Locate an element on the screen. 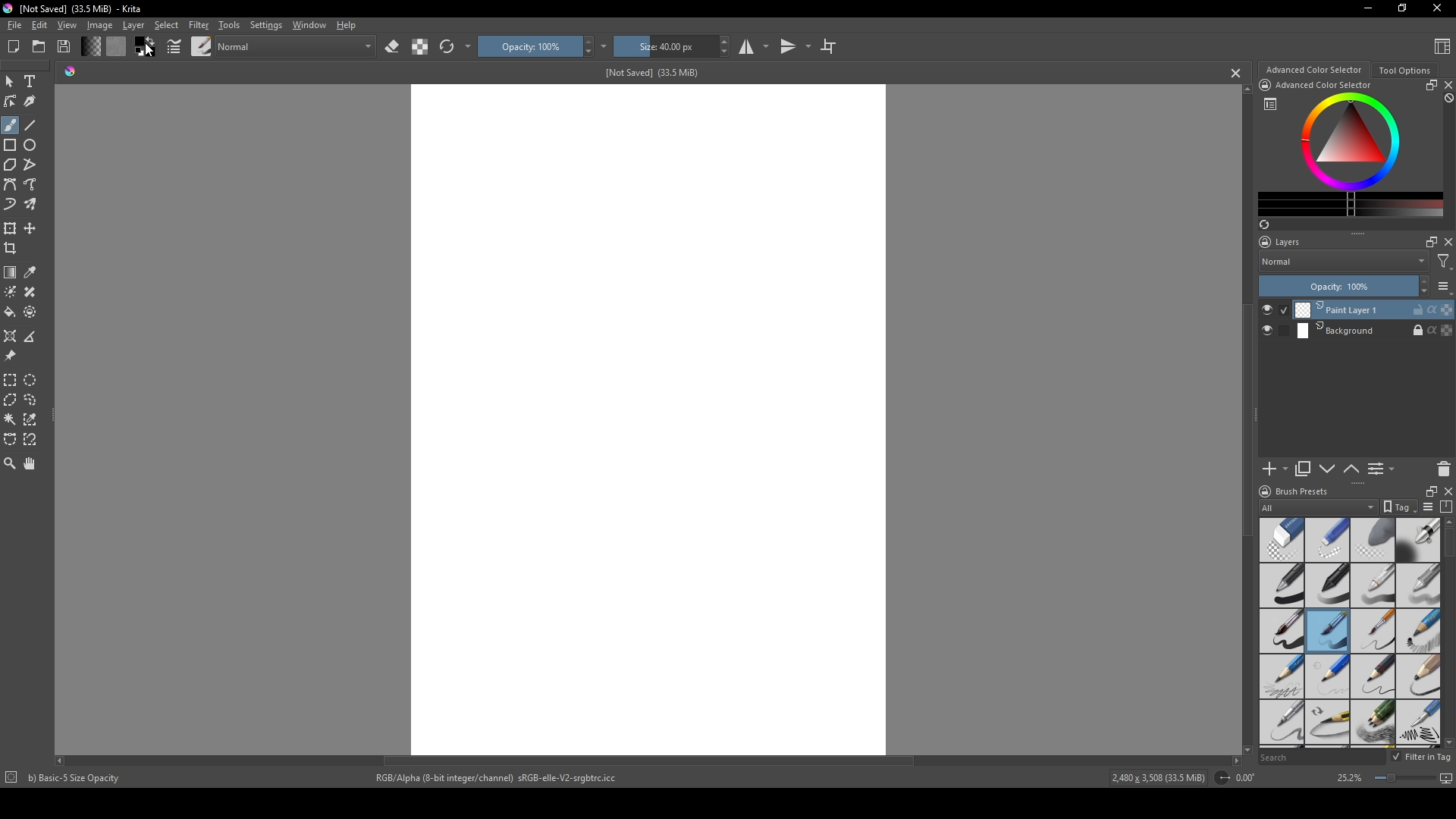  Opacity is located at coordinates (529, 46).